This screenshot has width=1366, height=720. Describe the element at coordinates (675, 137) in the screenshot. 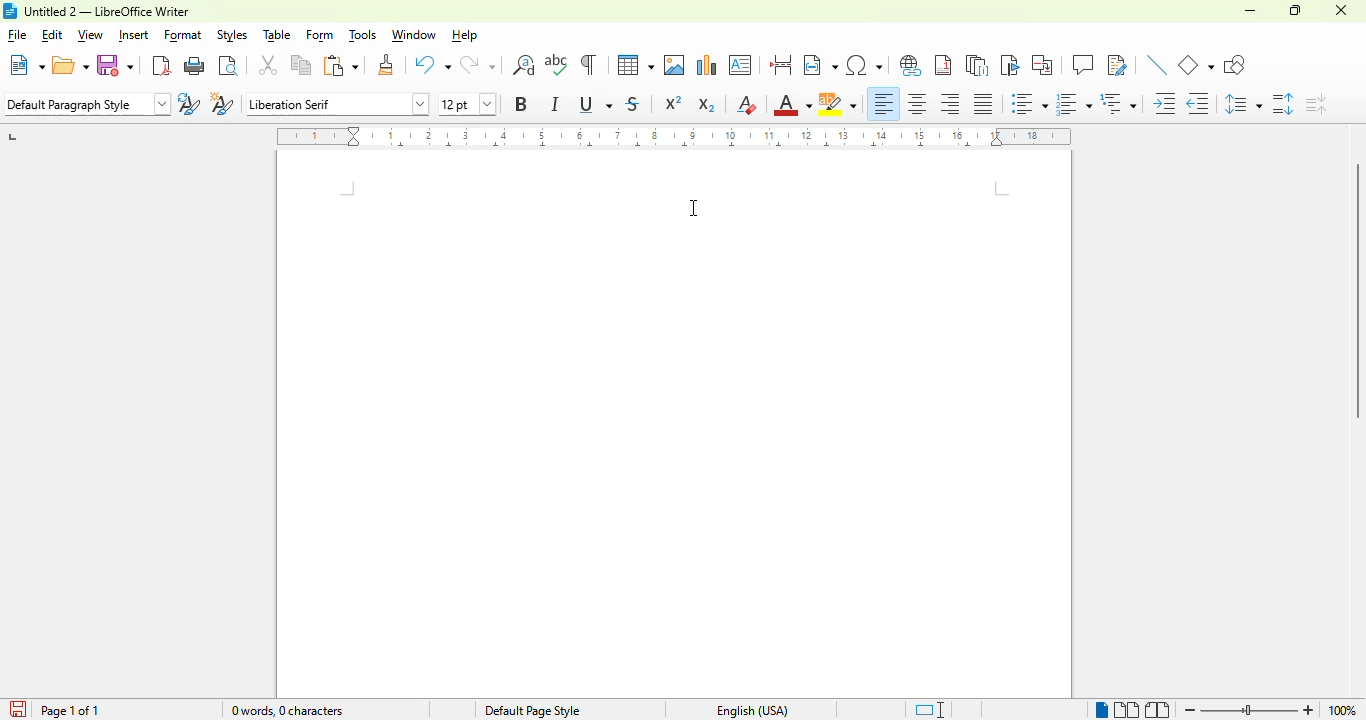

I see `ruler` at that location.